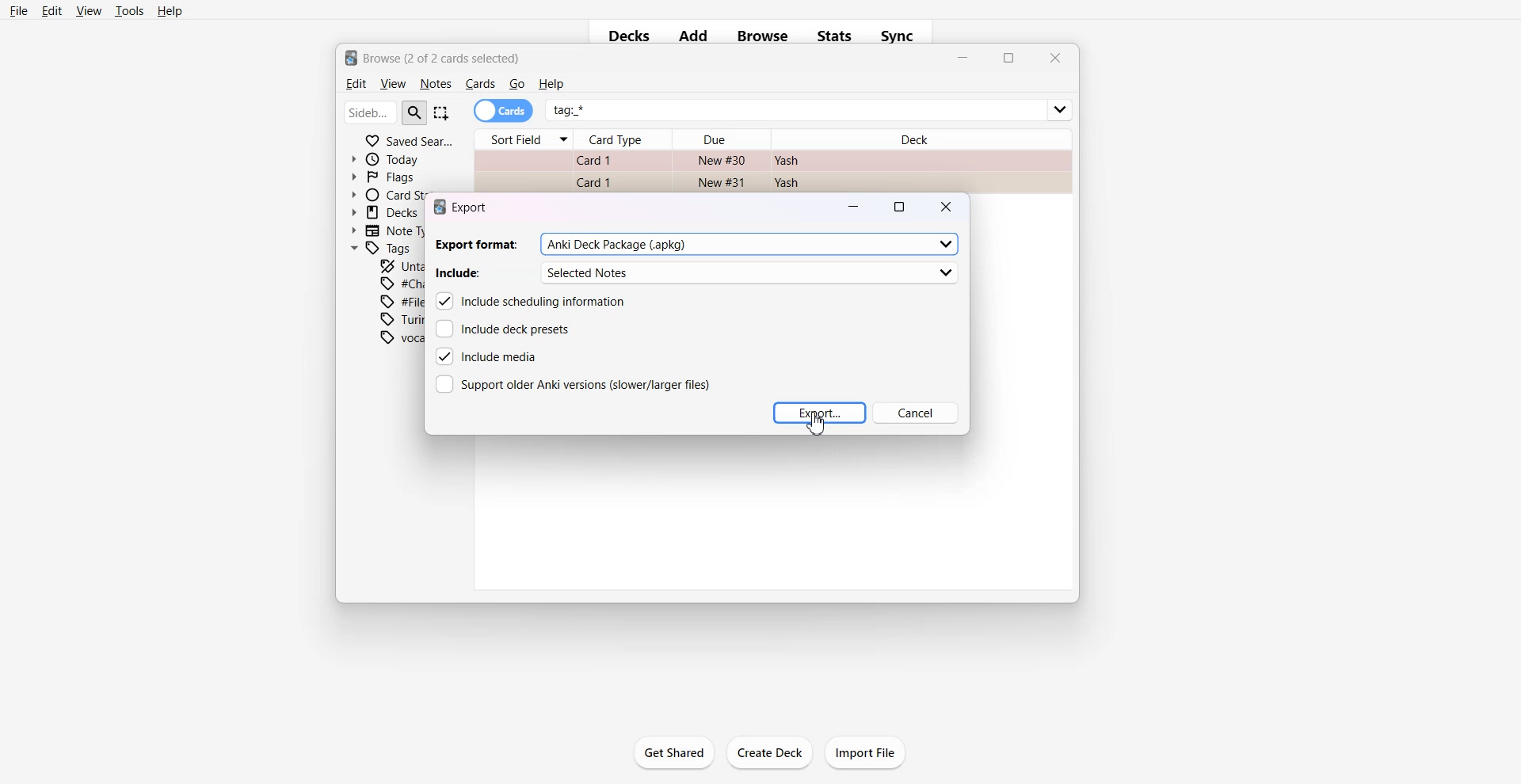 This screenshot has width=1521, height=784. Describe the element at coordinates (693, 36) in the screenshot. I see `Add` at that location.